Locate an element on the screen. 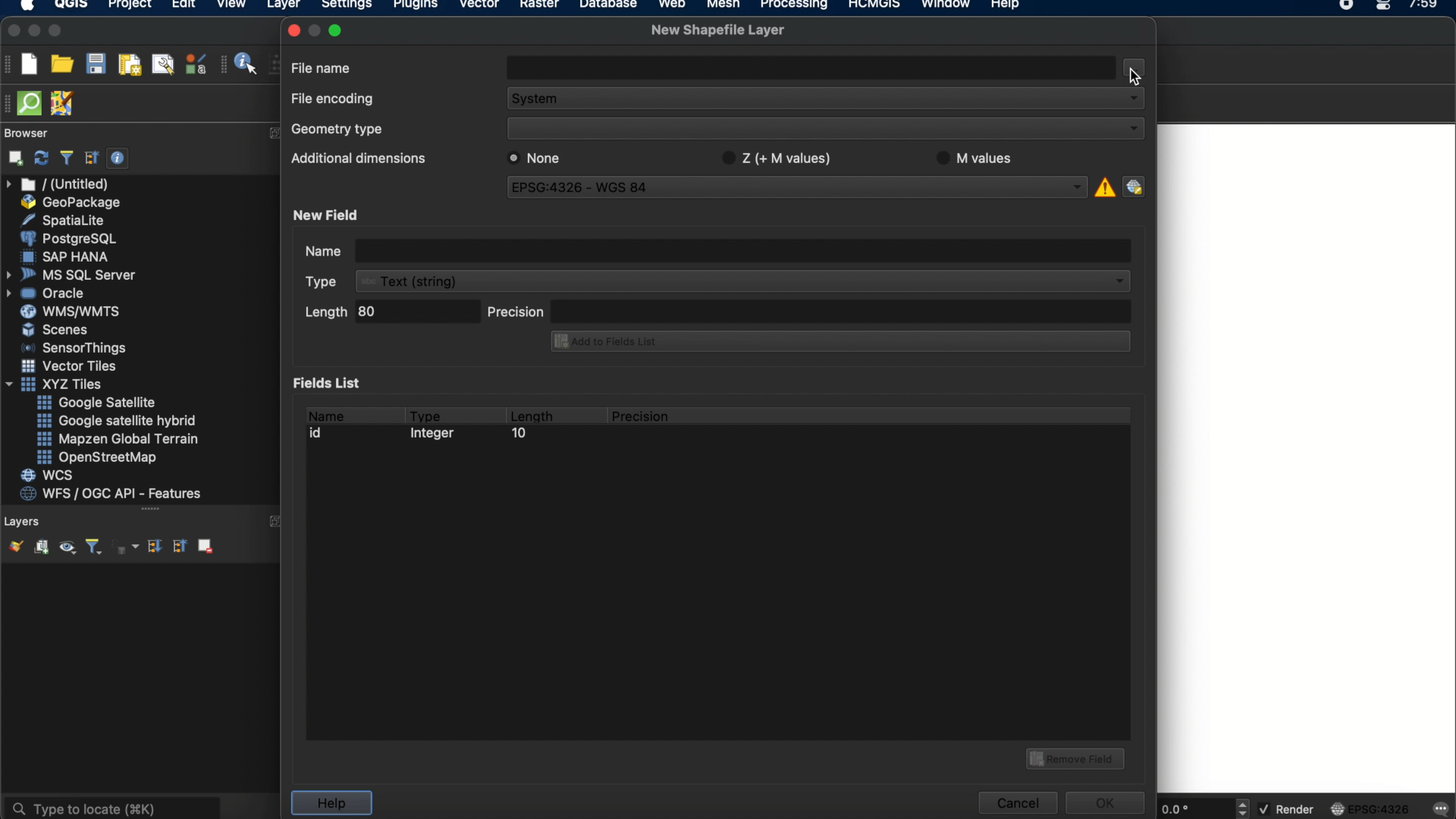  mapzen global terrain is located at coordinates (118, 439).